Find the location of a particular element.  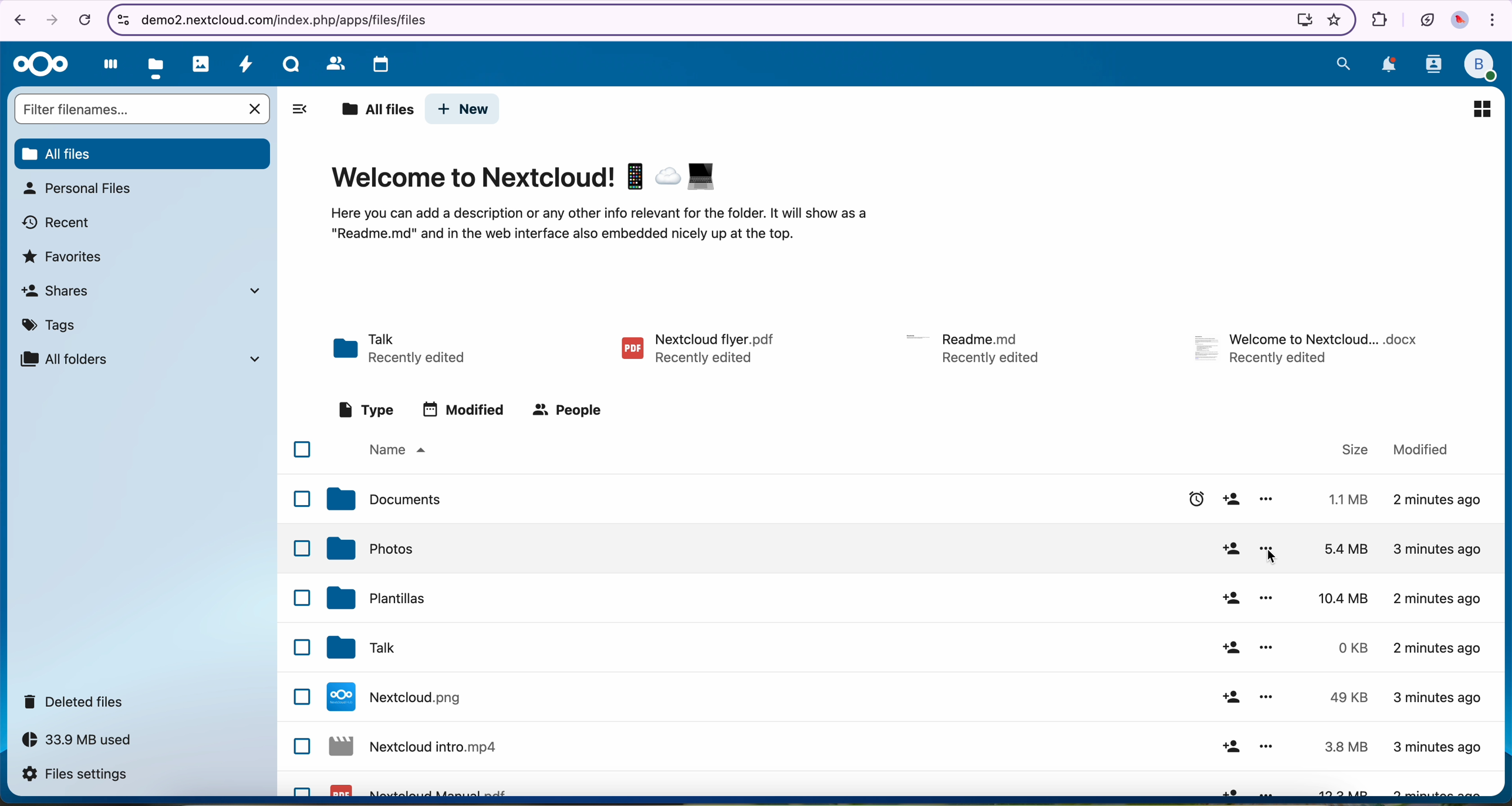

favorites is located at coordinates (64, 258).